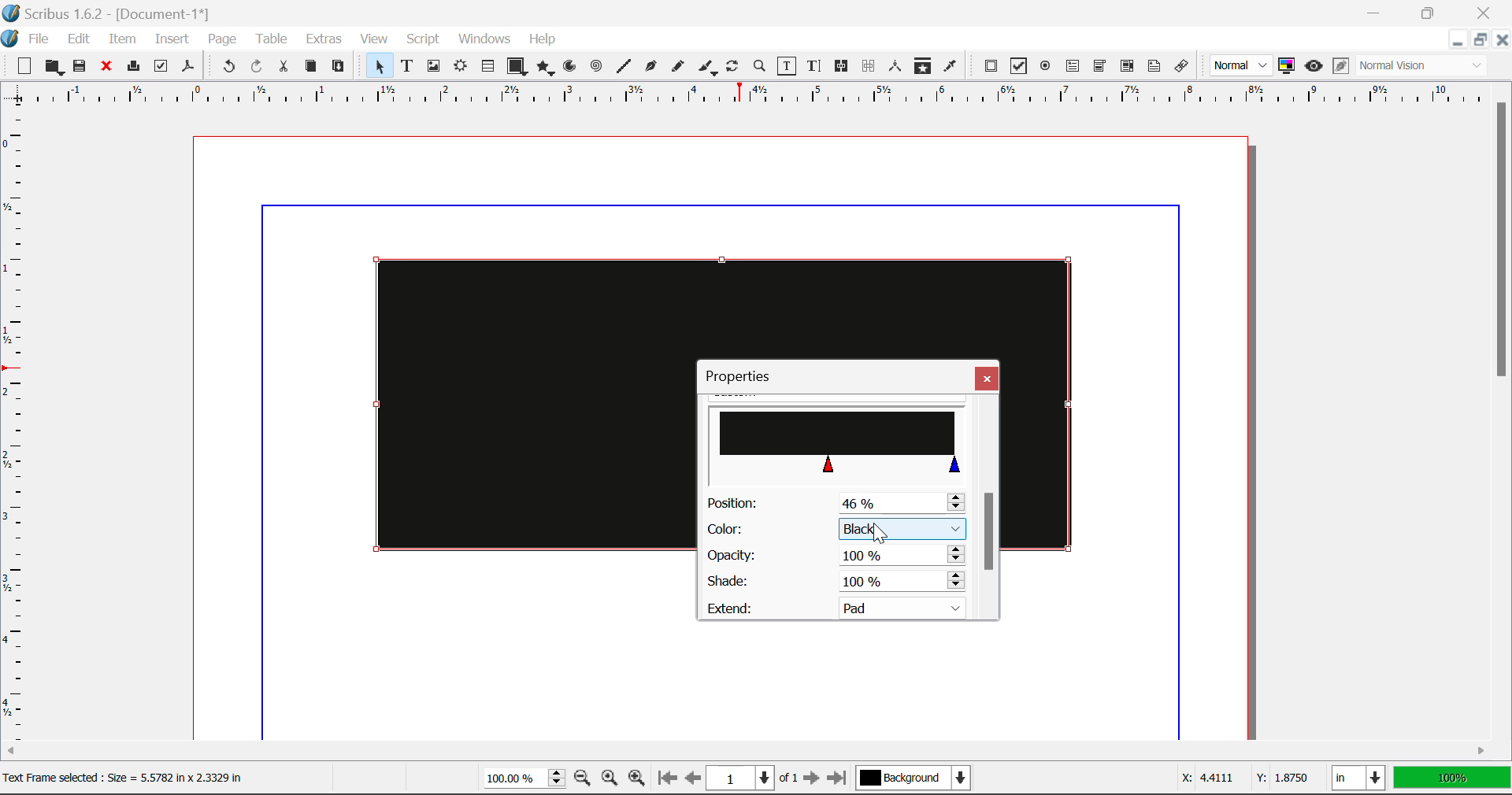 The height and width of the screenshot is (795, 1512). I want to click on Save as Pdf, so click(188, 68).